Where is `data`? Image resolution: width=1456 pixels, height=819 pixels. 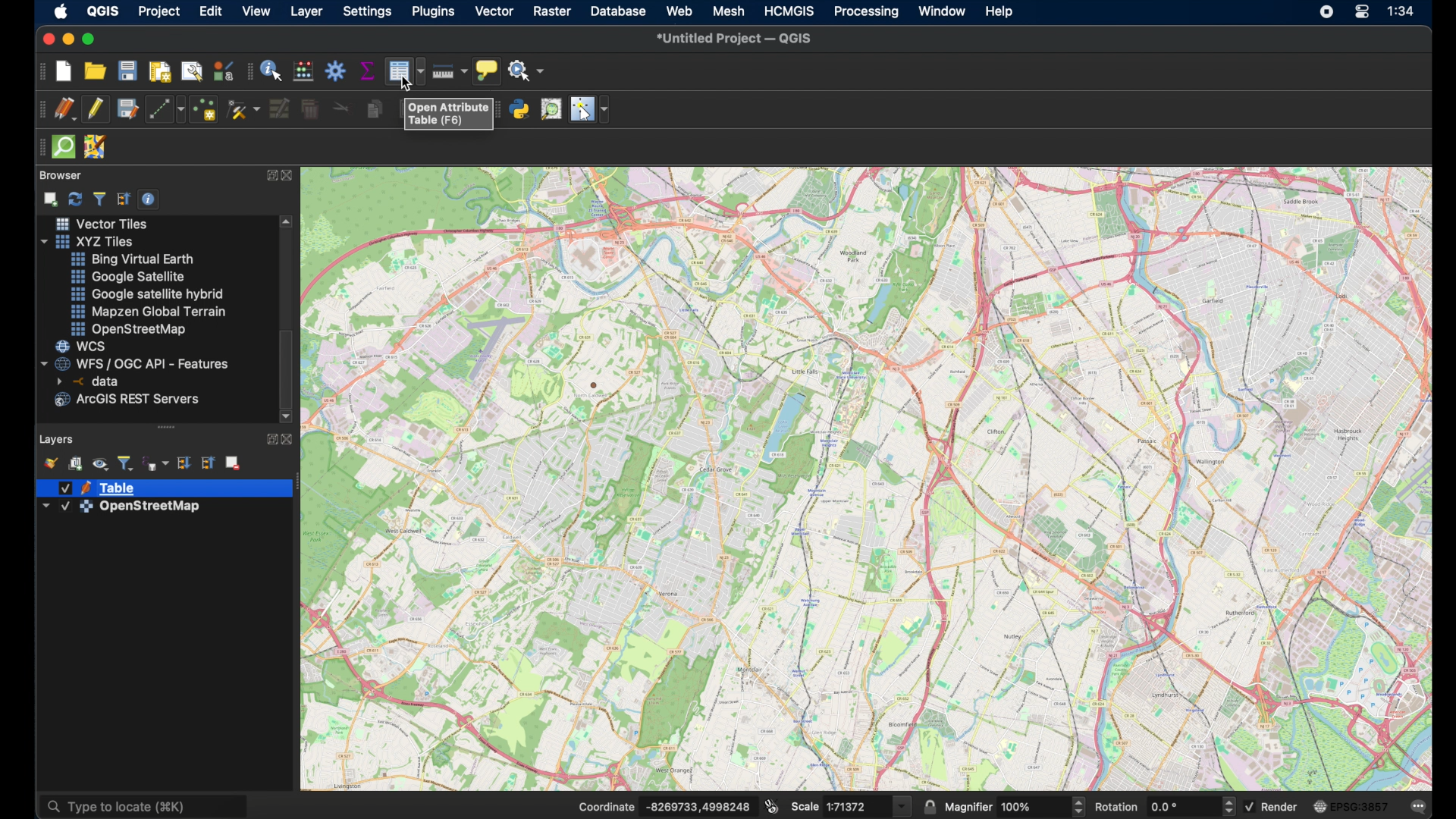
data is located at coordinates (93, 381).